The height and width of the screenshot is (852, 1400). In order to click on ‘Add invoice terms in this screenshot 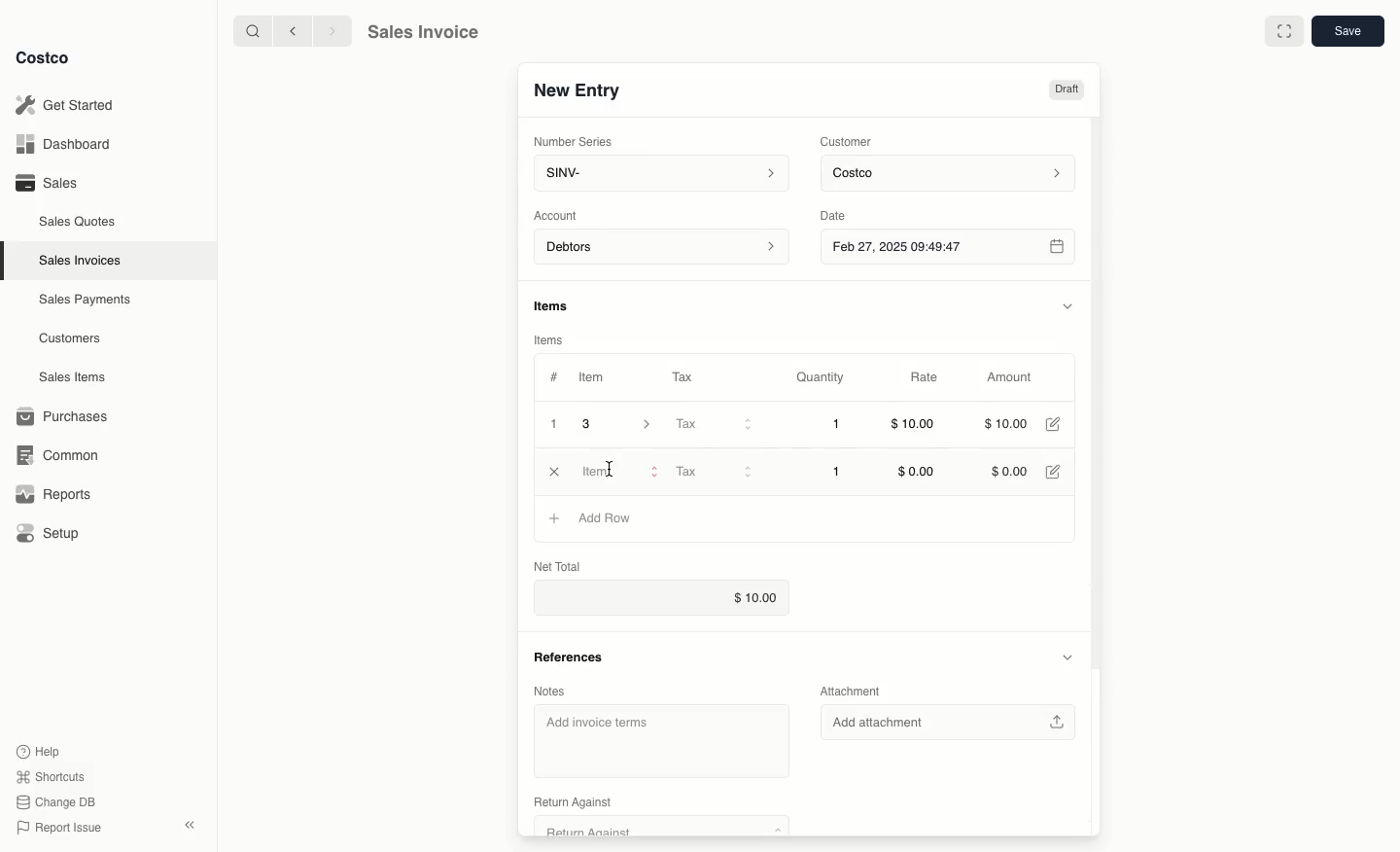, I will do `click(654, 736)`.